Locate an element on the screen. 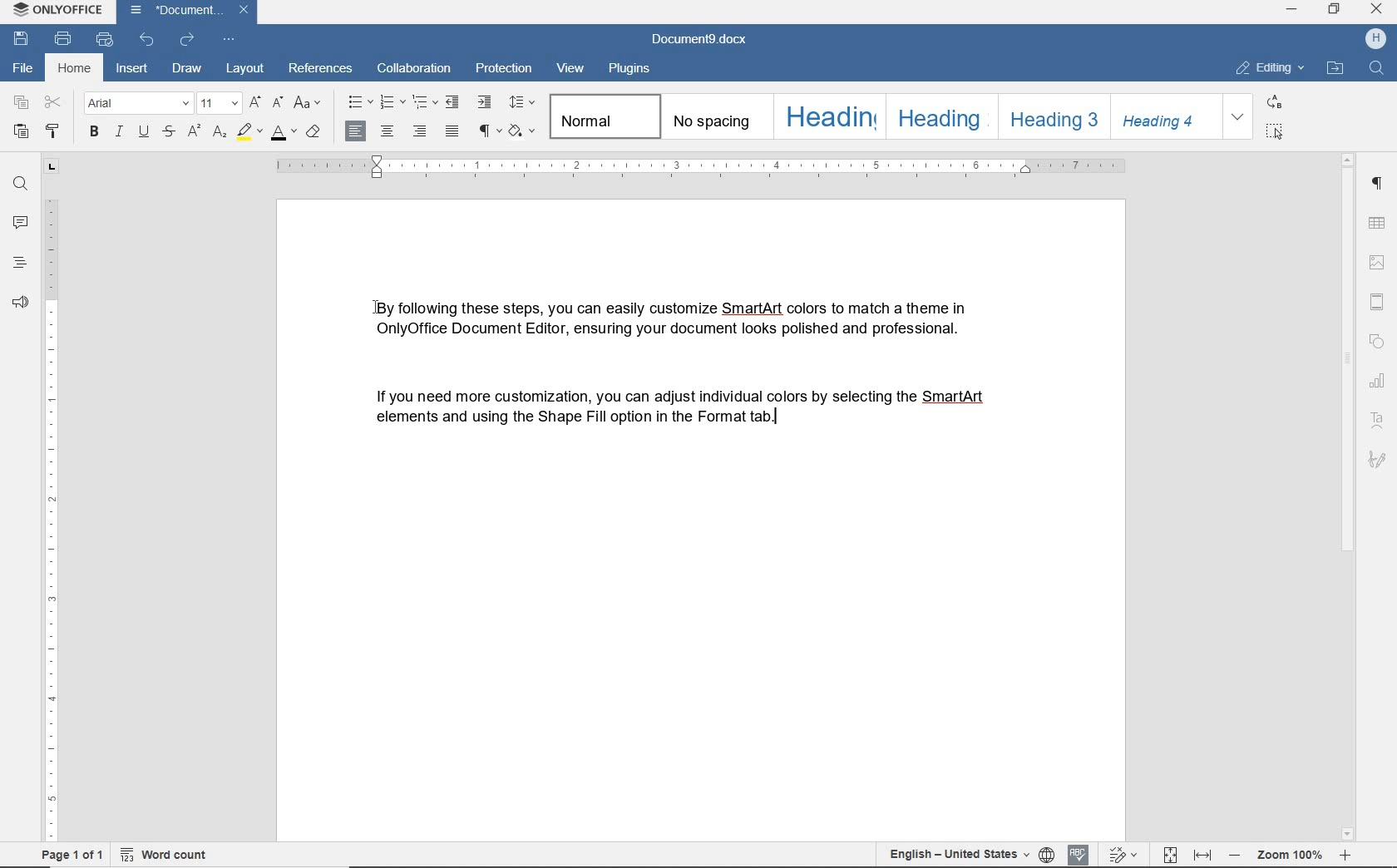  minimize is located at coordinates (1293, 8).